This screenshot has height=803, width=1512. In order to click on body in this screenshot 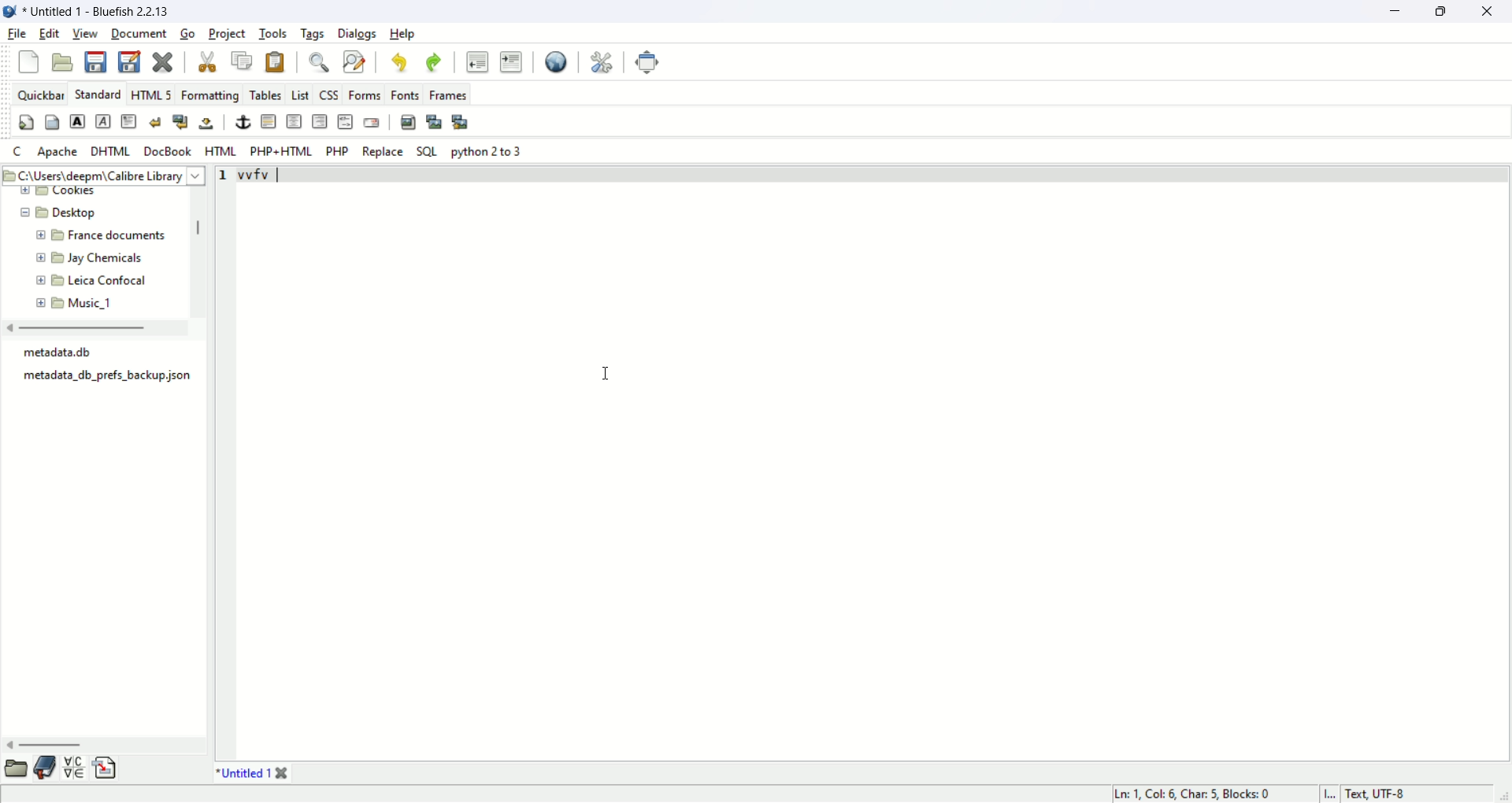, I will do `click(133, 122)`.